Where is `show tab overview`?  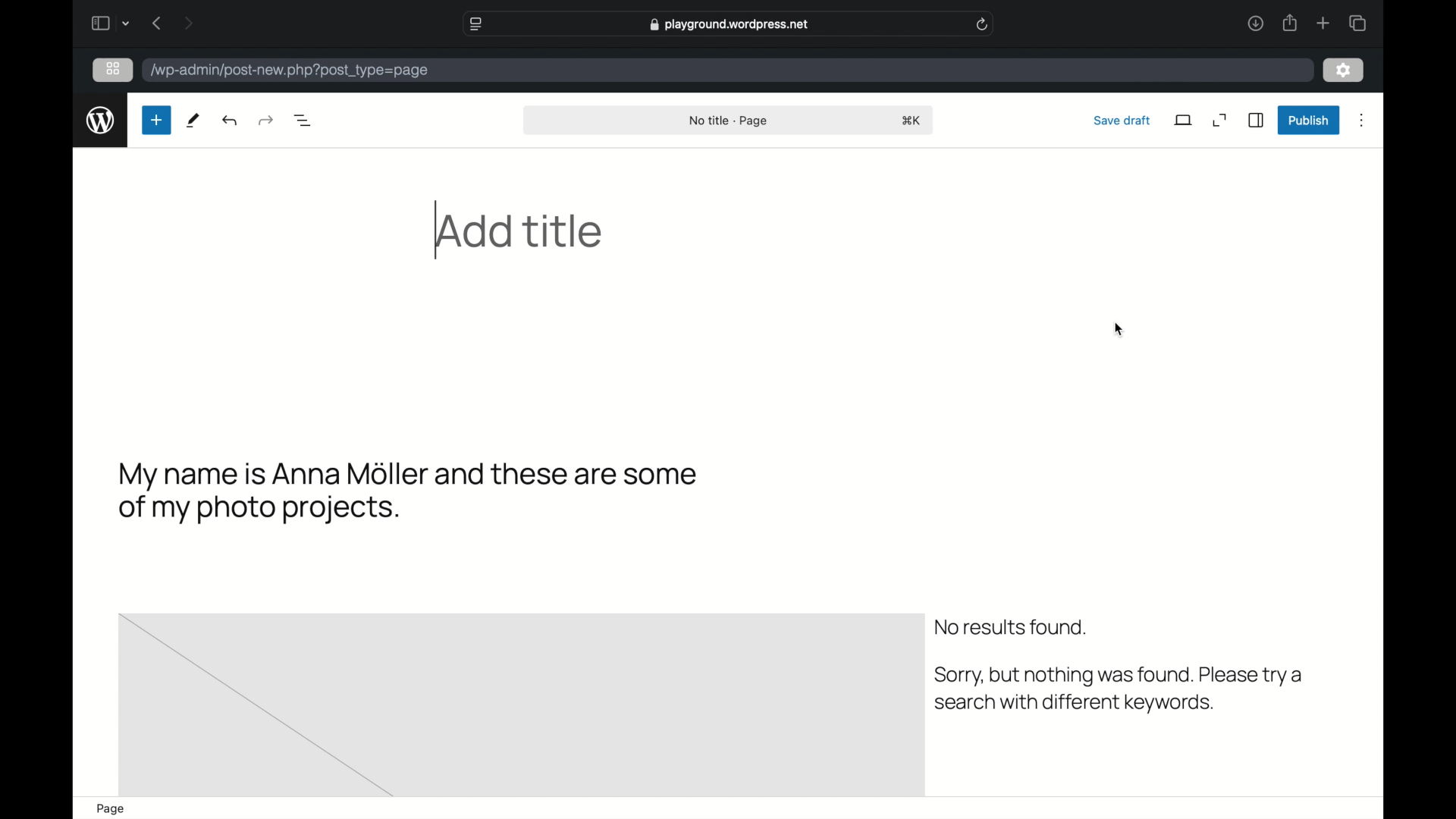
show tab overview is located at coordinates (1357, 23).